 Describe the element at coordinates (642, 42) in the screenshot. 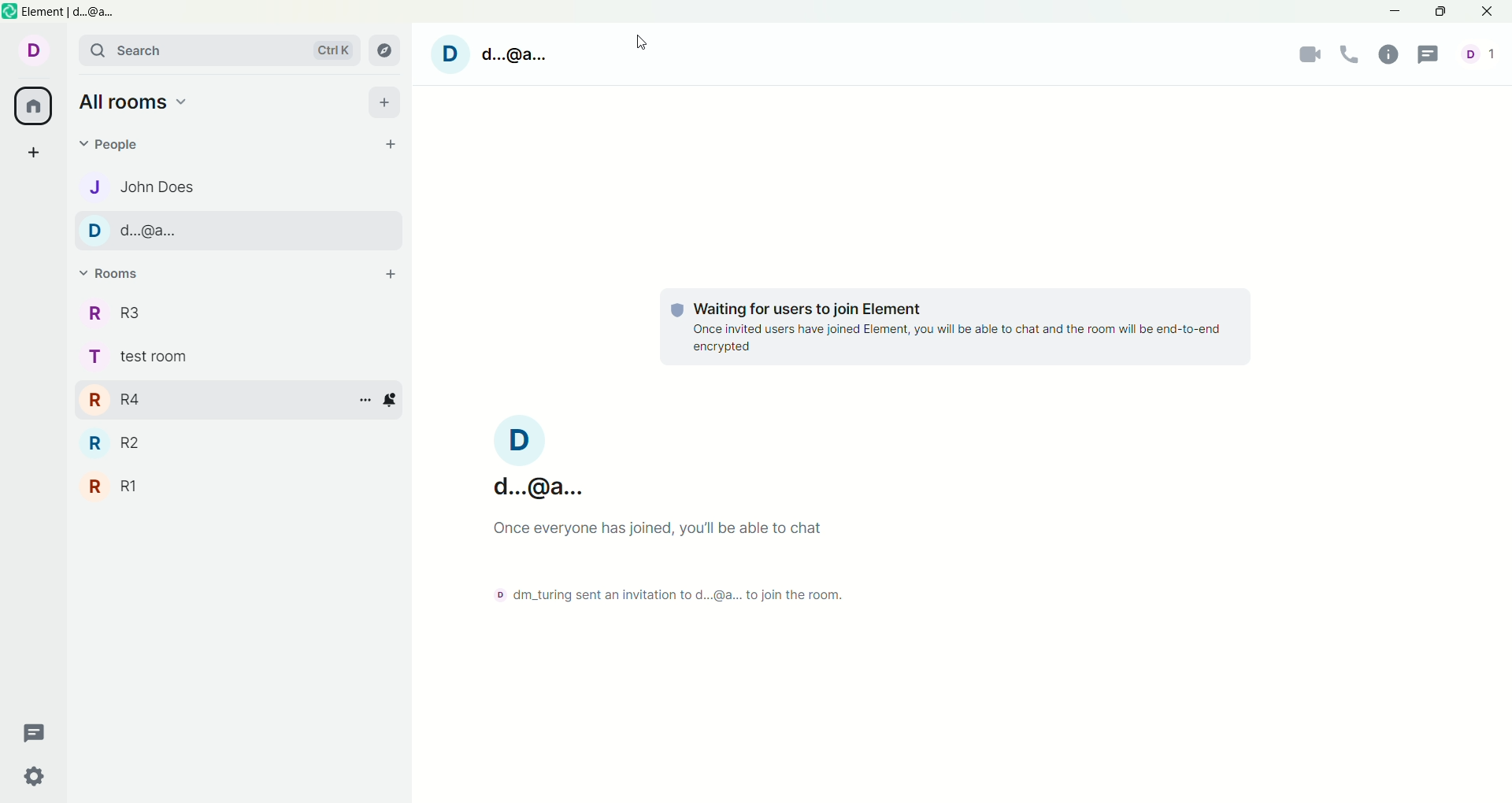

I see `Cursor` at that location.